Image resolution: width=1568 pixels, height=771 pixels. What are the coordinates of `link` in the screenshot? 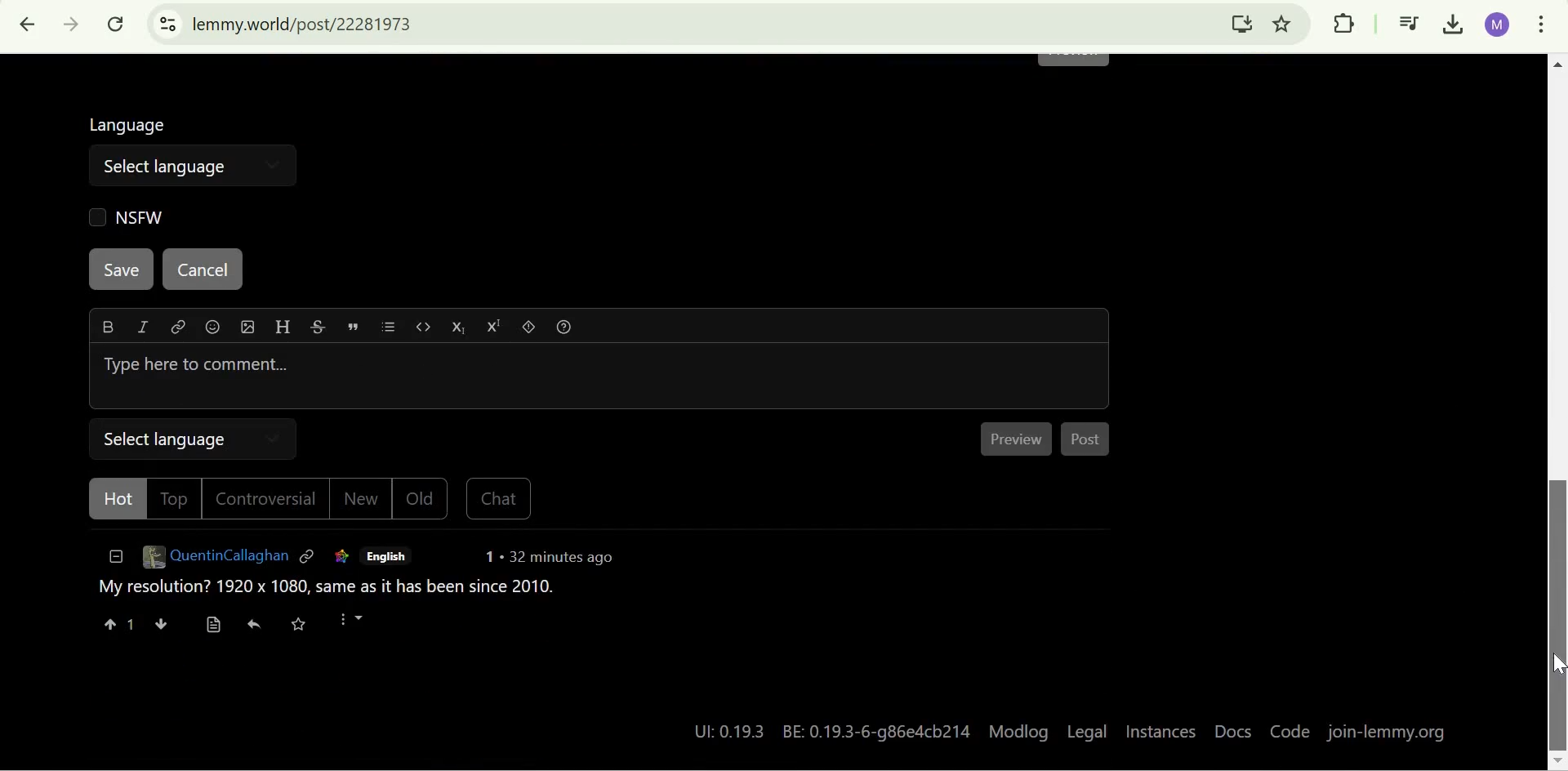 It's located at (176, 330).